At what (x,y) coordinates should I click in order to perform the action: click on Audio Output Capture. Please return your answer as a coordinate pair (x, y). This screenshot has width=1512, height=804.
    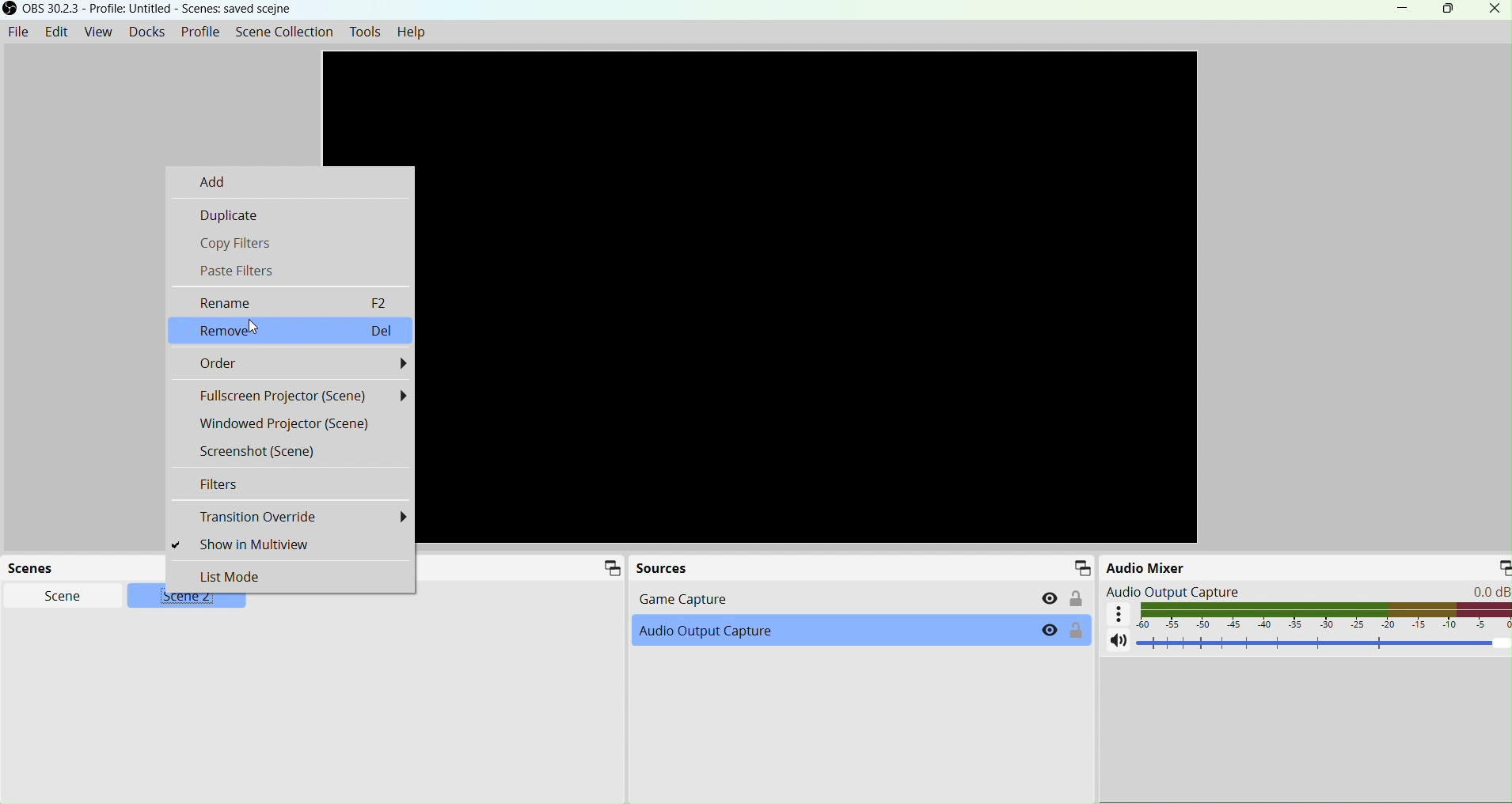
    Looking at the image, I should click on (741, 635).